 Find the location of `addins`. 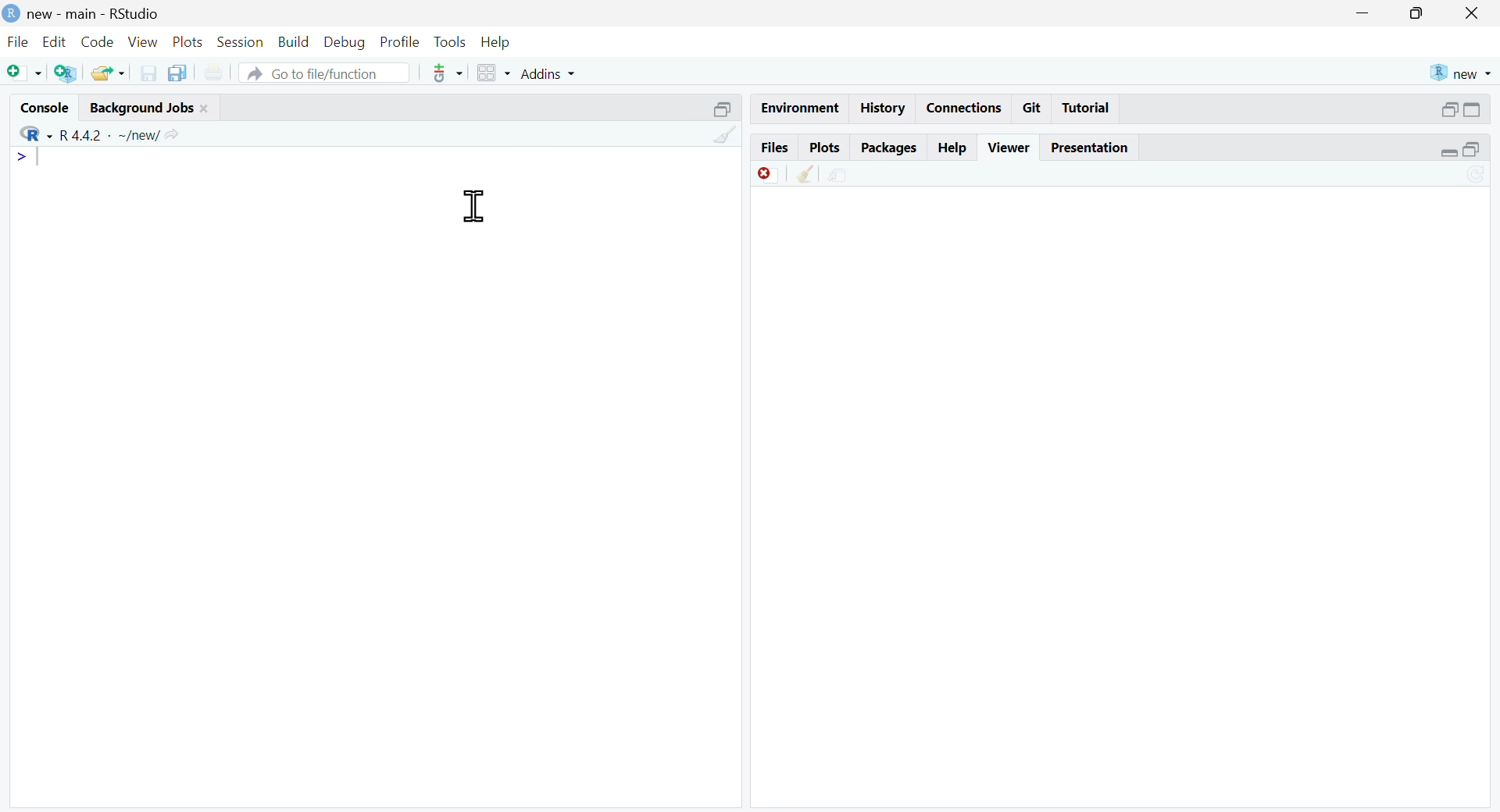

addins is located at coordinates (551, 73).